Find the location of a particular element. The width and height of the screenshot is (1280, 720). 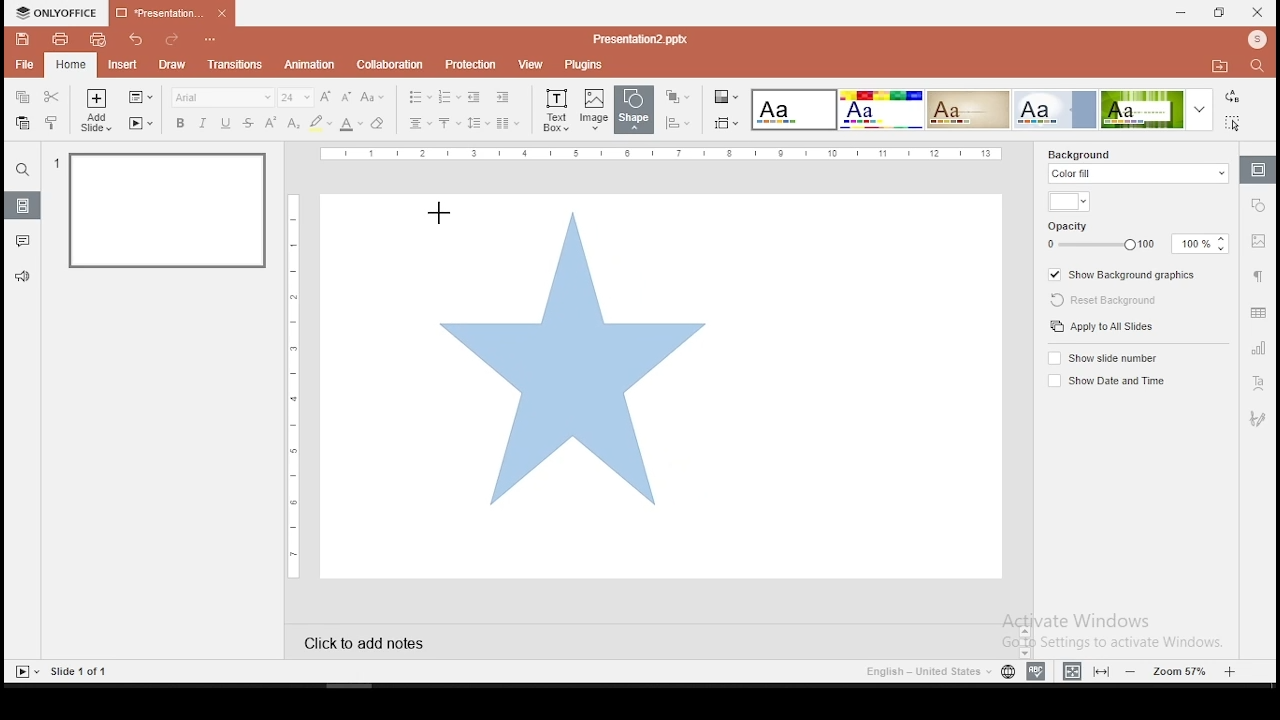

shape is located at coordinates (637, 111).